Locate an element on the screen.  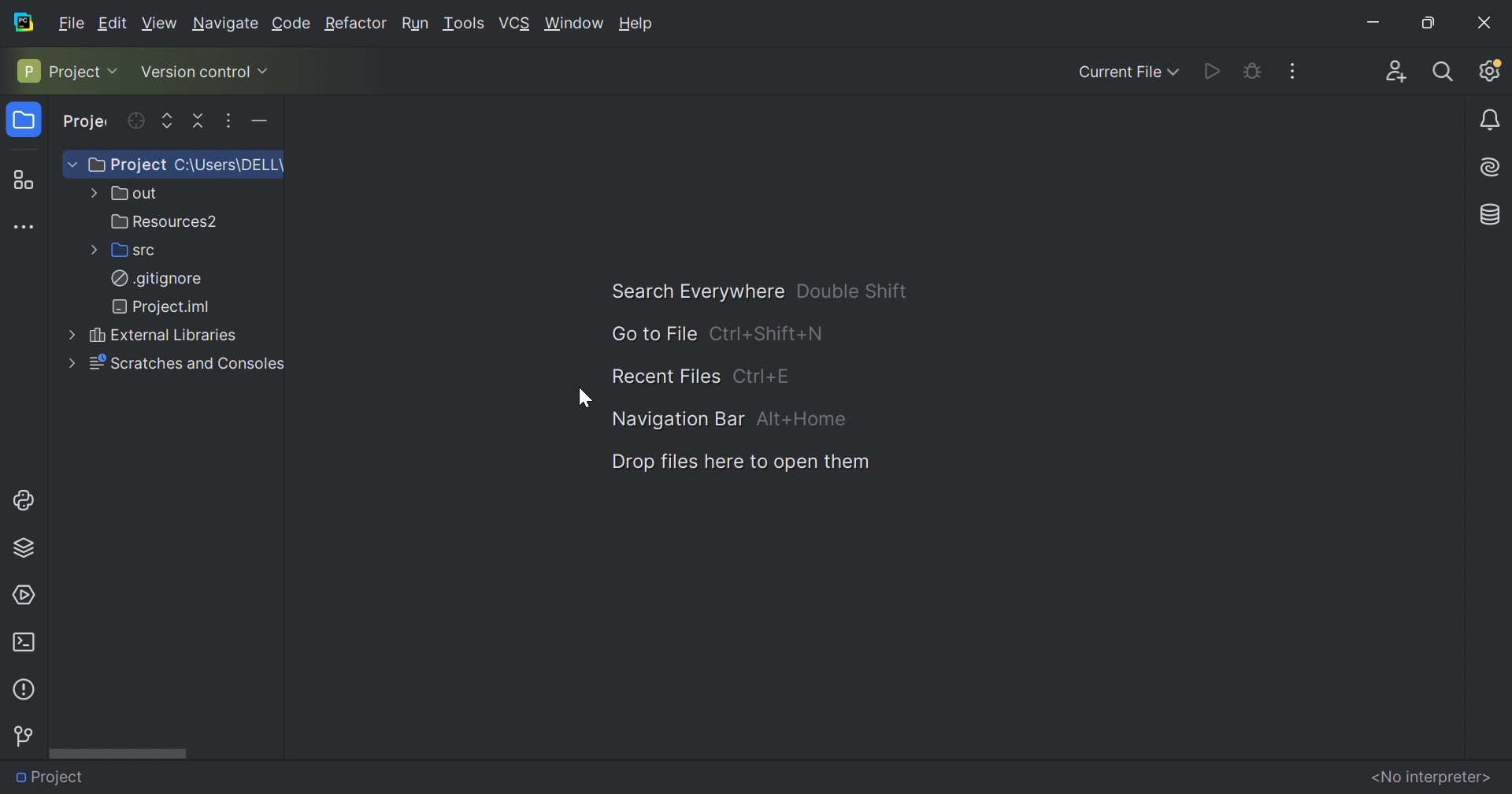
More is located at coordinates (90, 195).